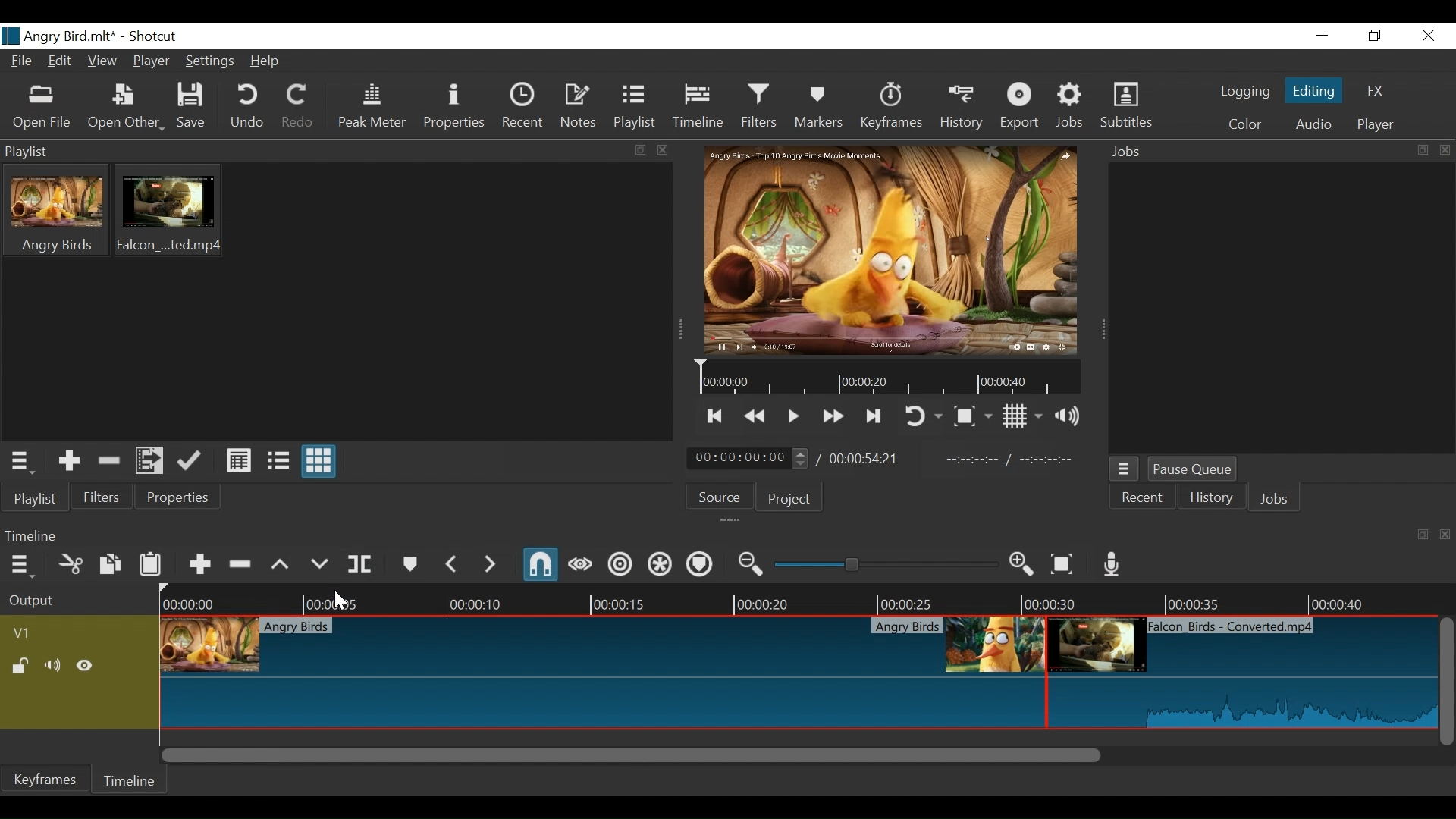 The image size is (1456, 819). Describe the element at coordinates (318, 564) in the screenshot. I see `` at that location.